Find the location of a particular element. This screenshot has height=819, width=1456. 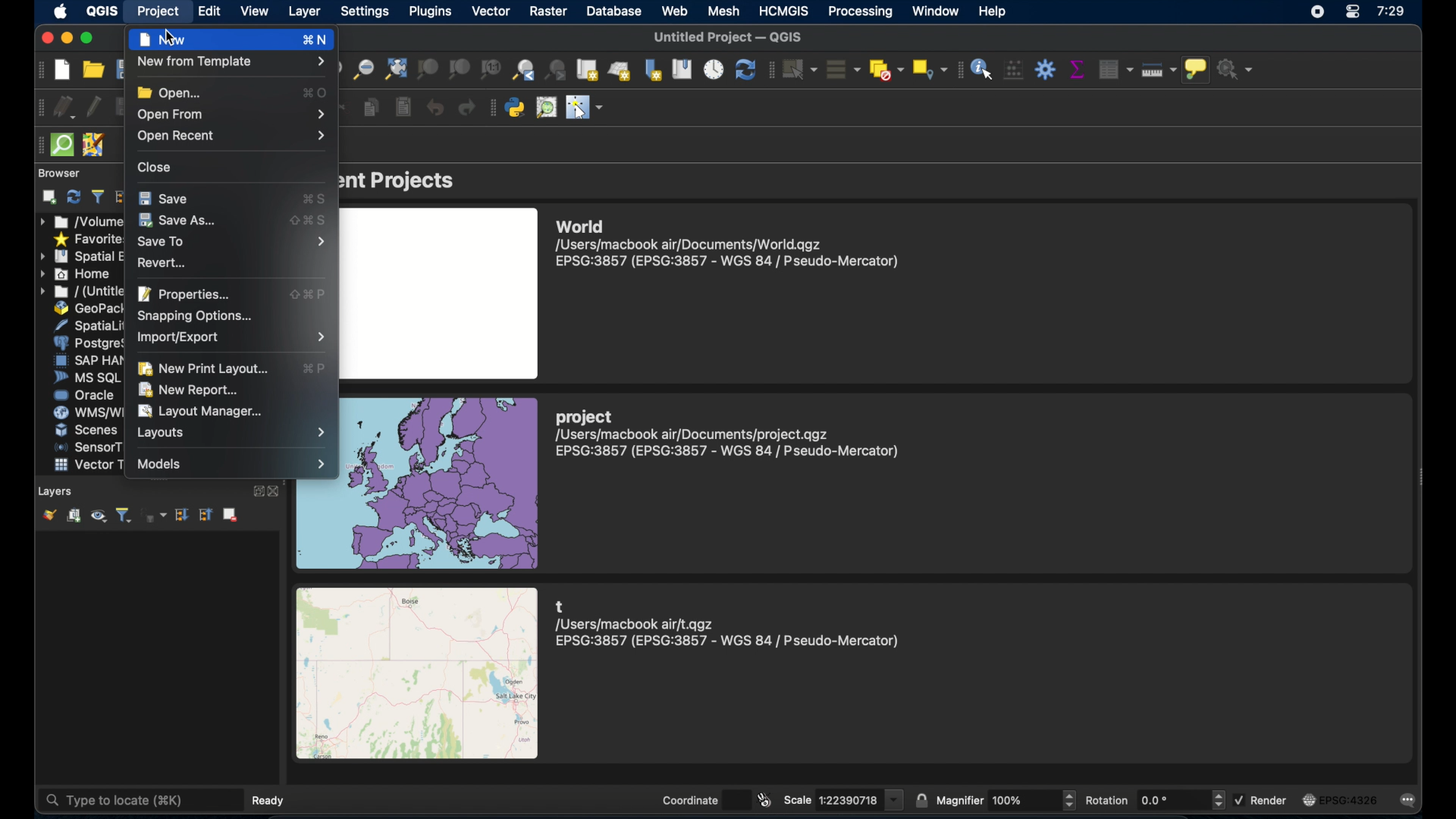

EPSG:3857 (EPSG:3857 - WGS 84 | Pseudo-Mercator) is located at coordinates (726, 261).